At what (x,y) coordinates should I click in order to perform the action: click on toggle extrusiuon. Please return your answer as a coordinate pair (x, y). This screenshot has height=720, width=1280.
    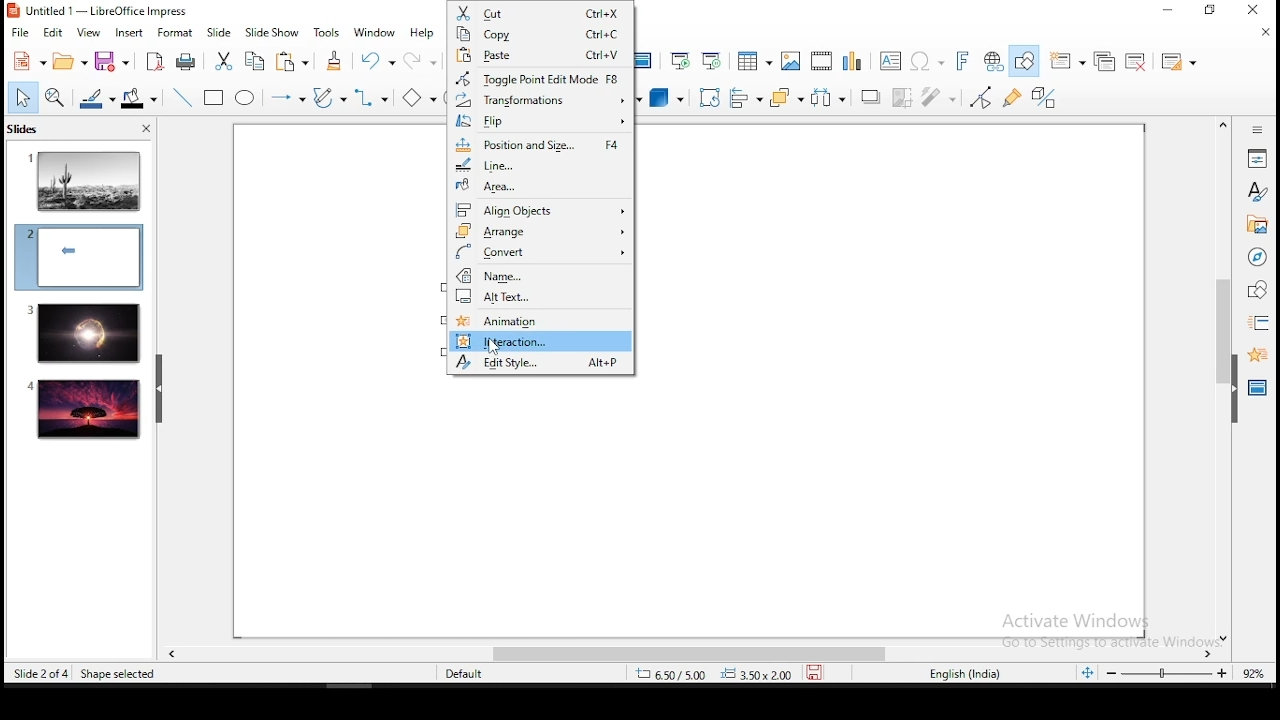
    Looking at the image, I should click on (1046, 97).